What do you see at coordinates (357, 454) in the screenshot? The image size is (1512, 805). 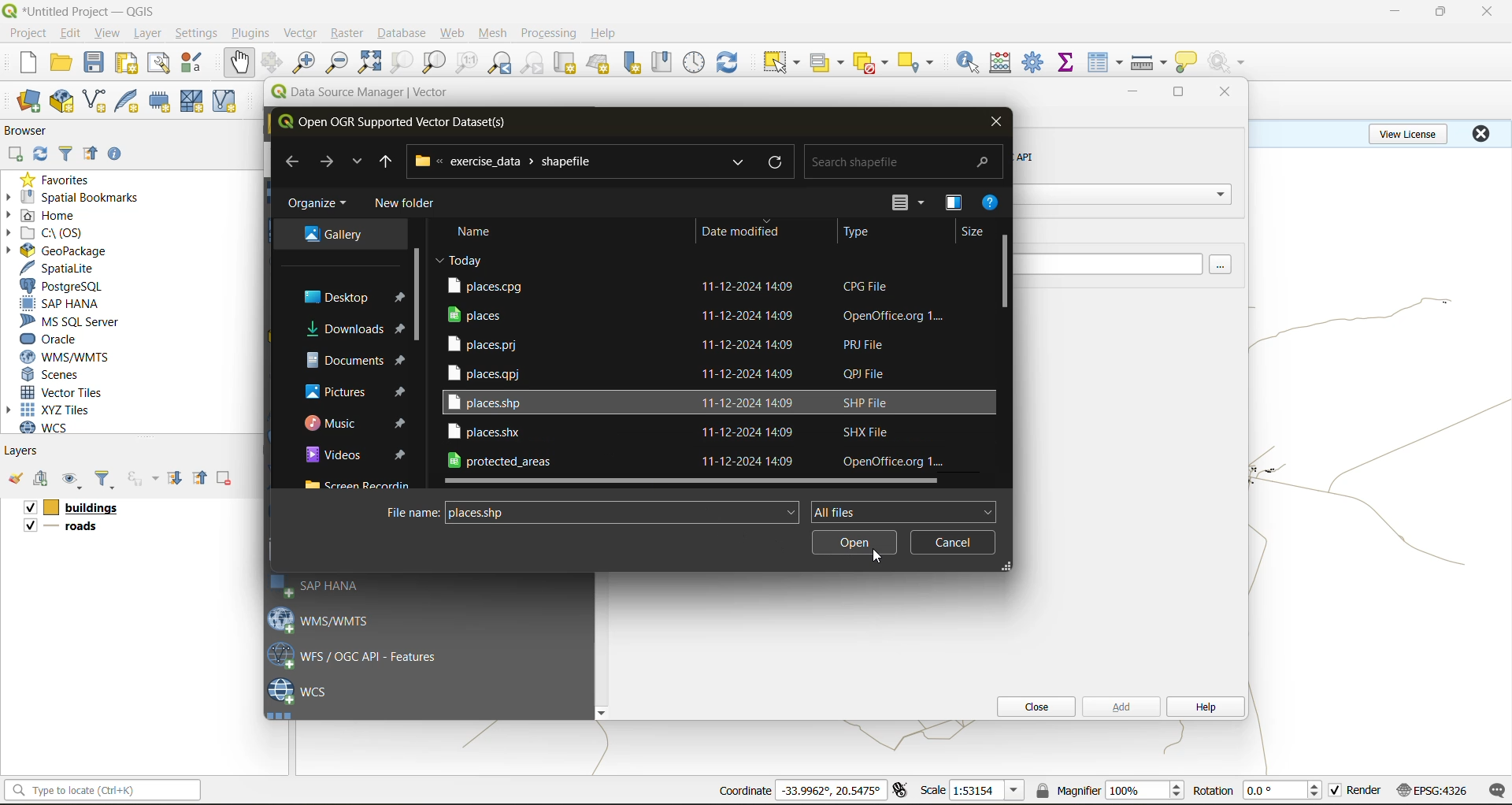 I see `folder explorer` at bounding box center [357, 454].